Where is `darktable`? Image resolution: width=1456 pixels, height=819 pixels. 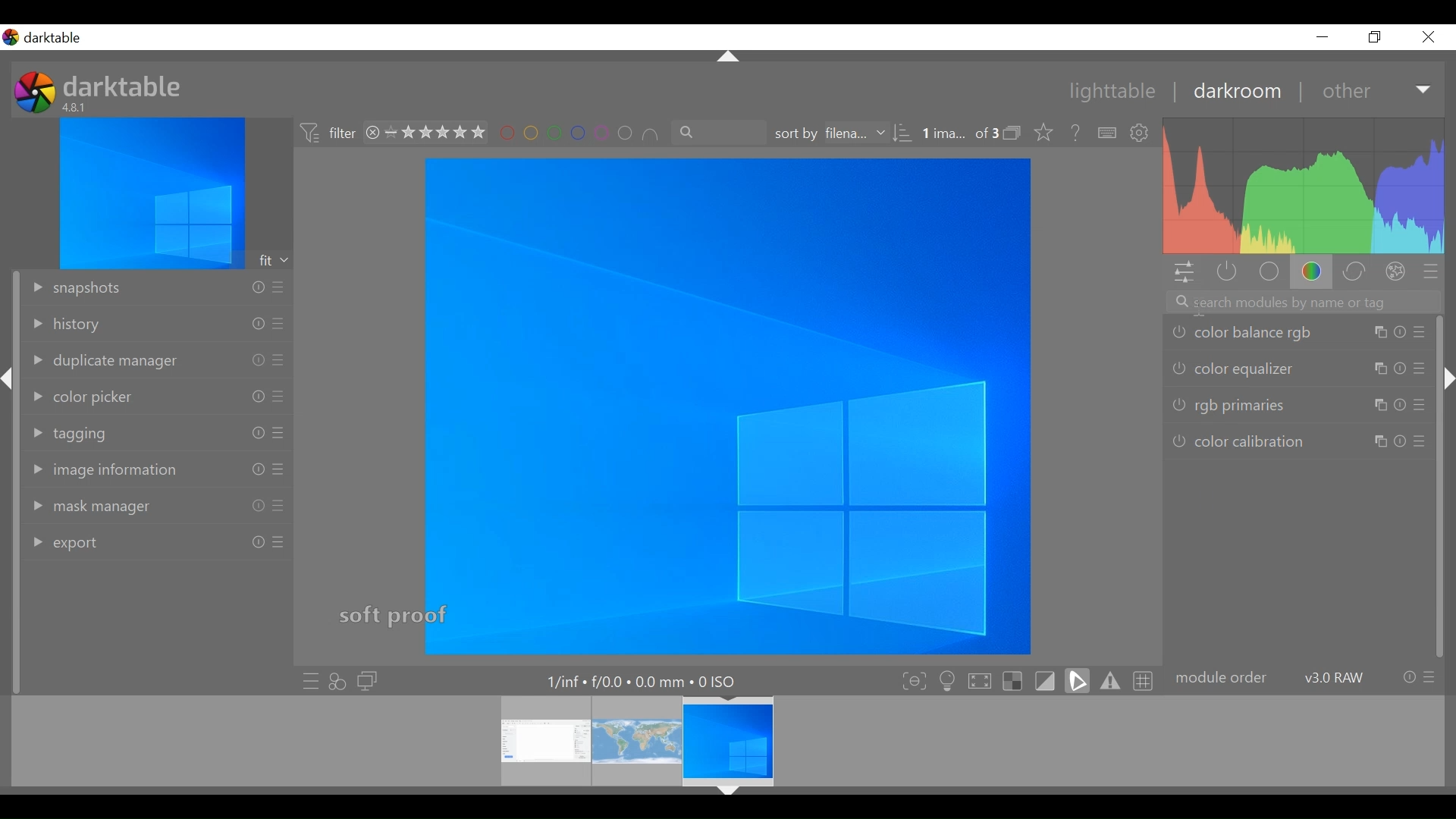 darktable is located at coordinates (58, 38).